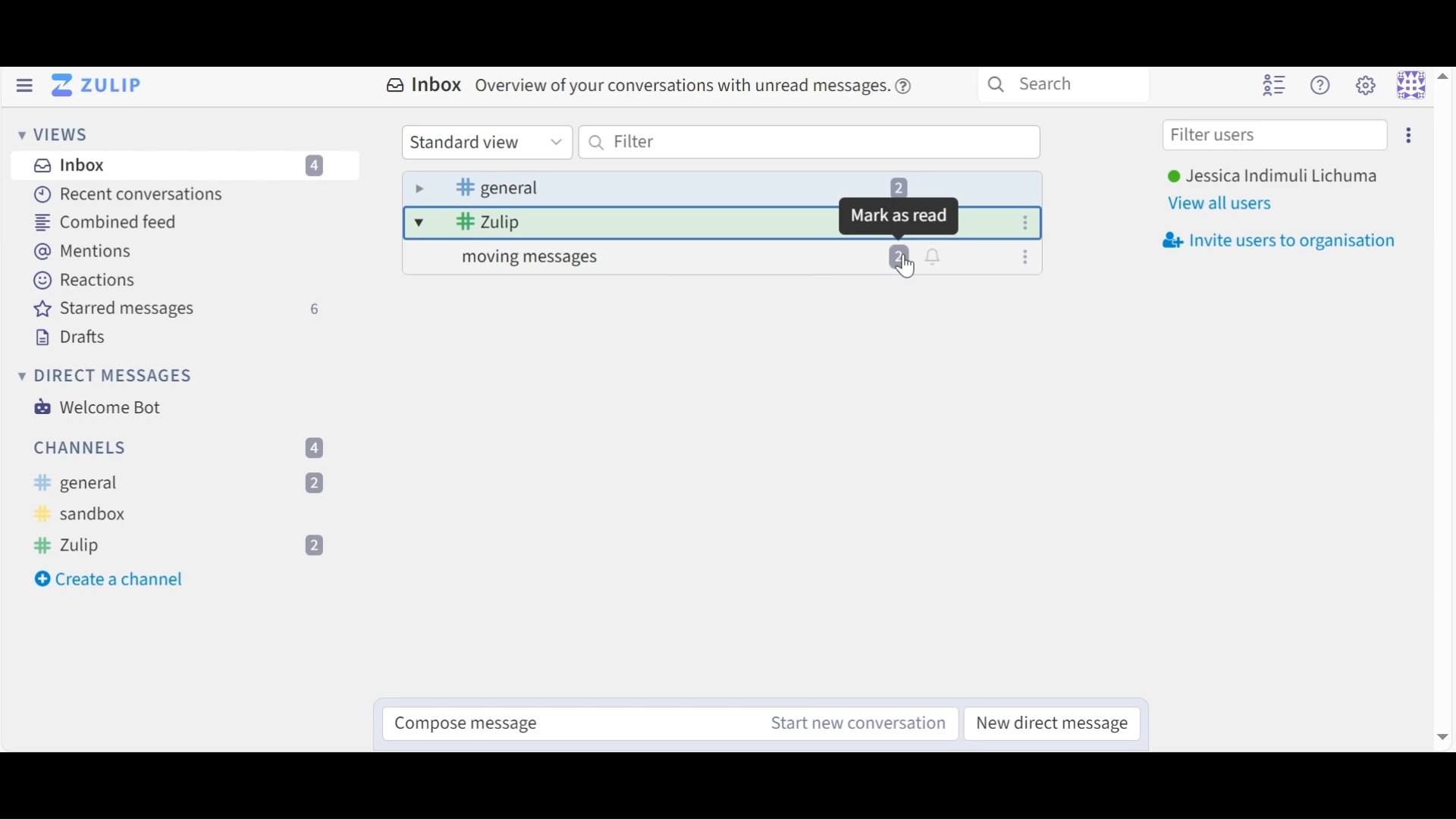 Image resolution: width=1456 pixels, height=819 pixels. Describe the element at coordinates (1047, 722) in the screenshot. I see `New Direct Channel` at that location.